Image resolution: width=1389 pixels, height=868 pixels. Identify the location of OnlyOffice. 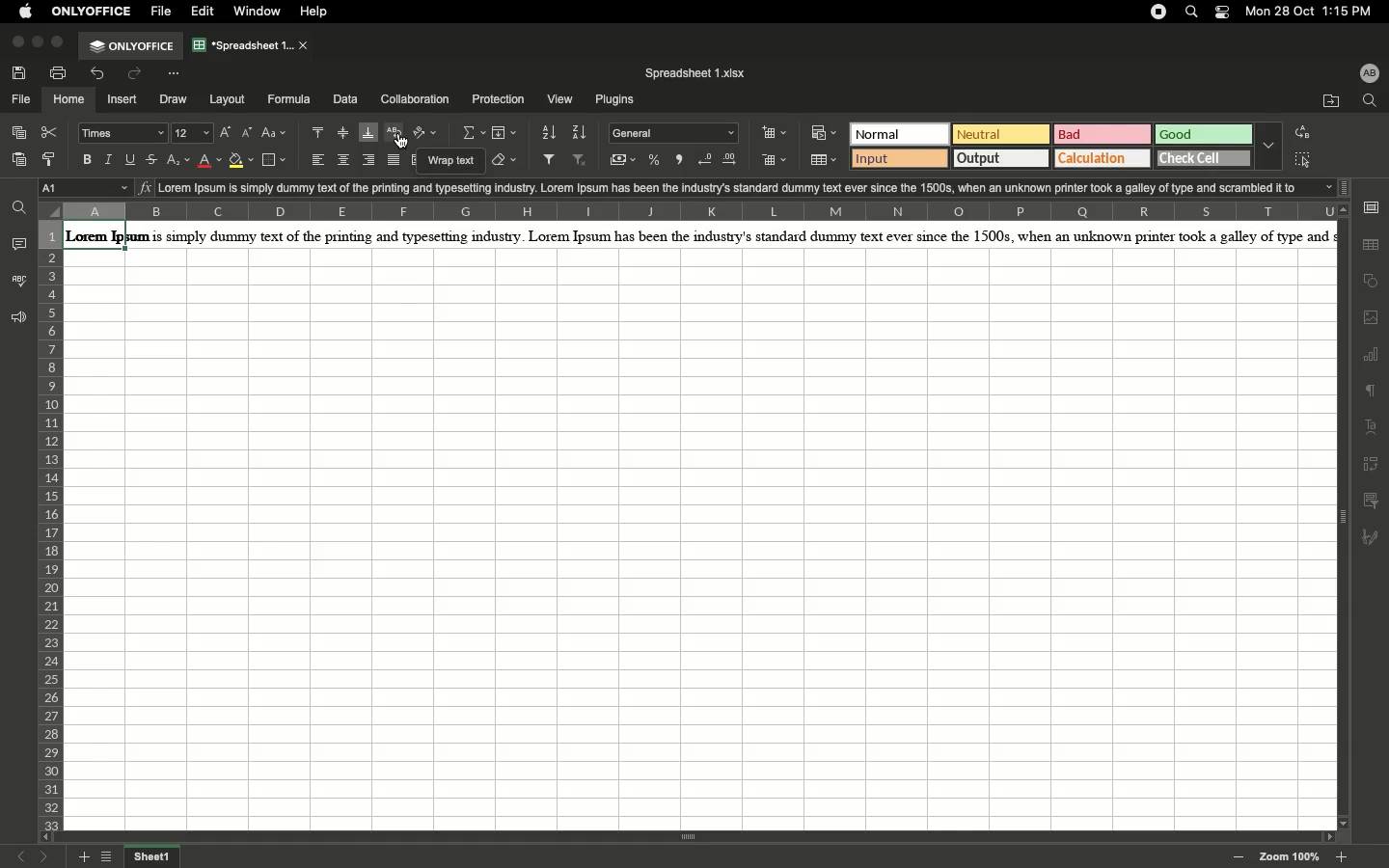
(132, 46).